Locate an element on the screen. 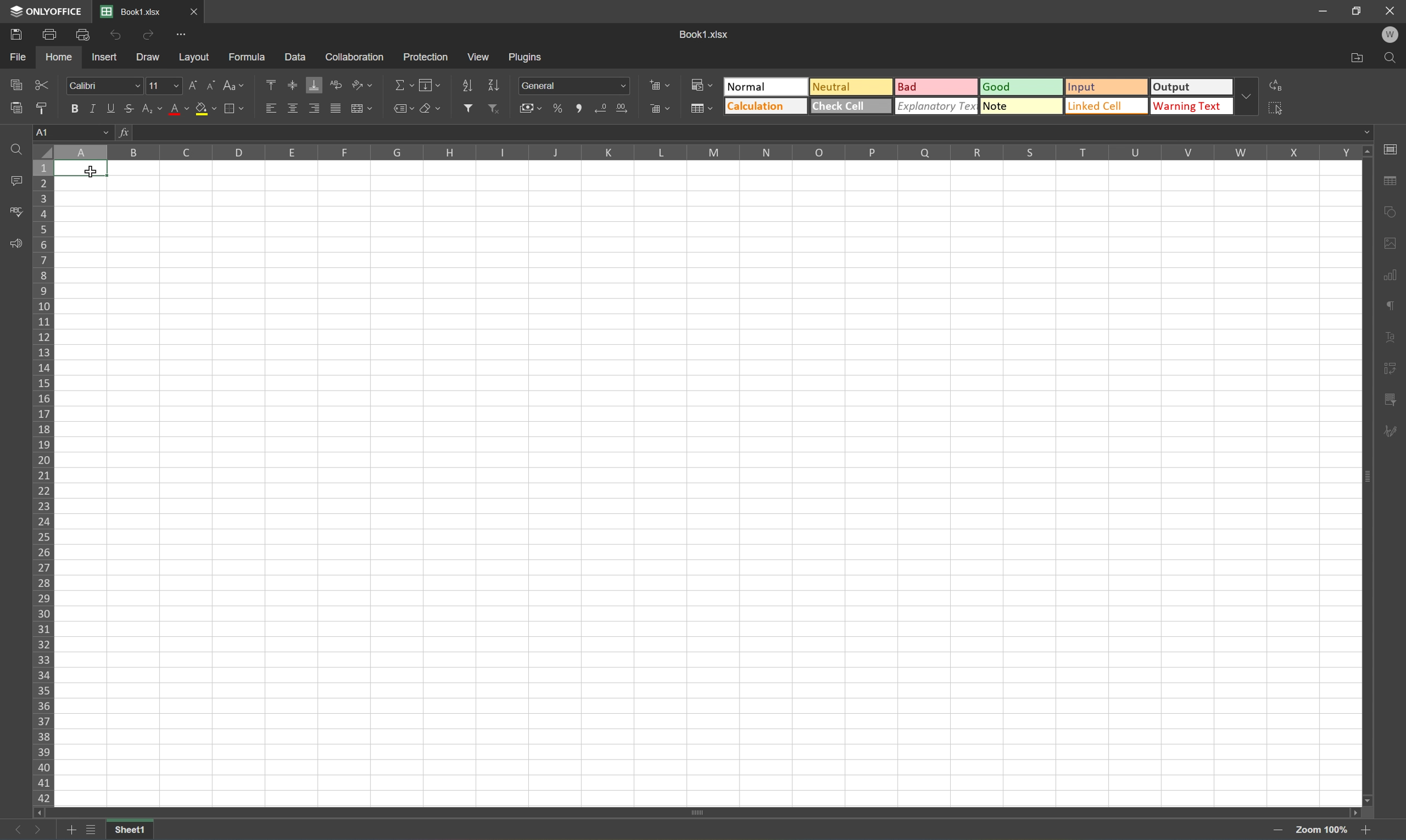  Check cell is located at coordinates (850, 106).